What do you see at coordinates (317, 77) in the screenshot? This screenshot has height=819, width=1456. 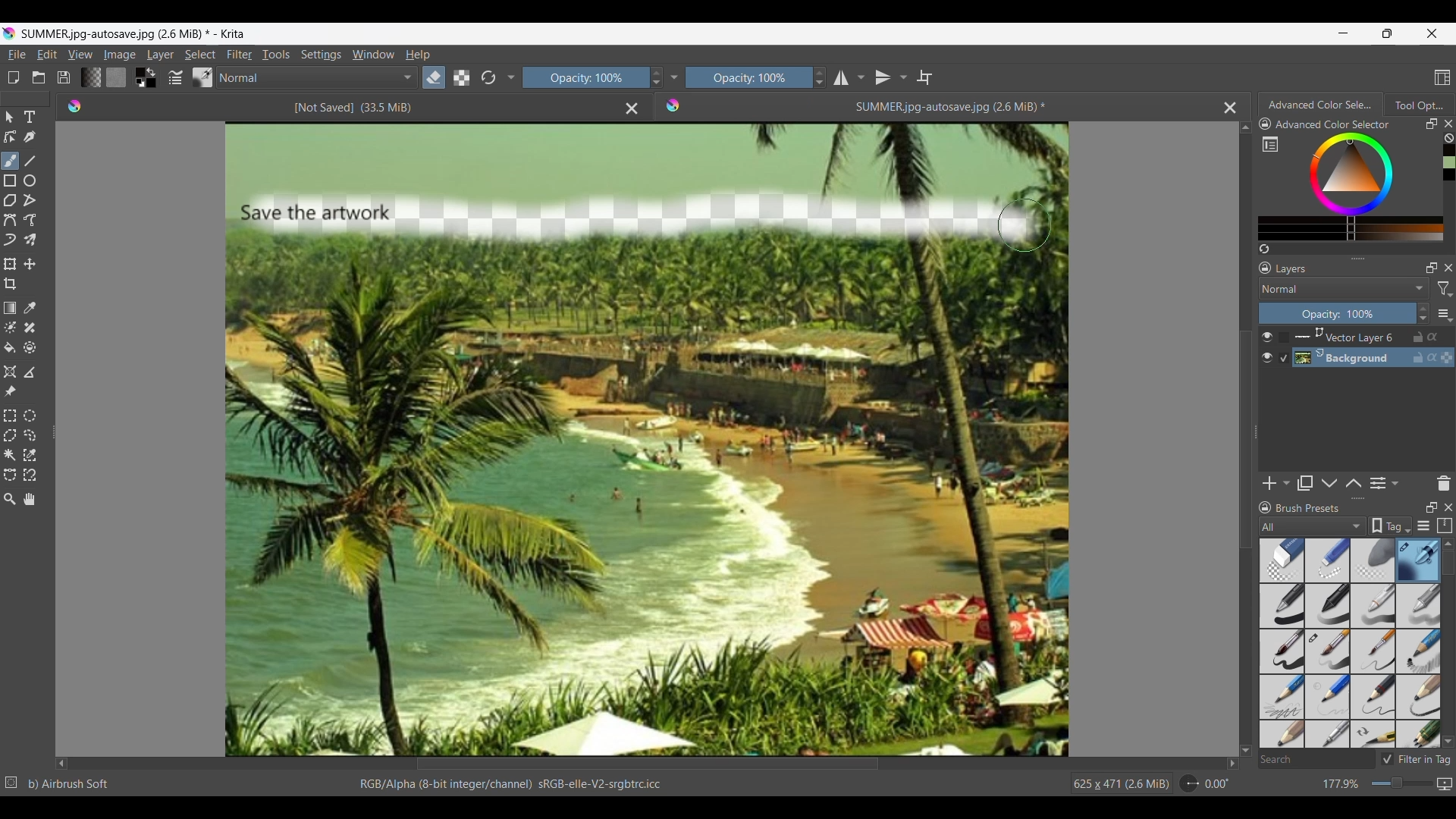 I see `Normal` at bounding box center [317, 77].